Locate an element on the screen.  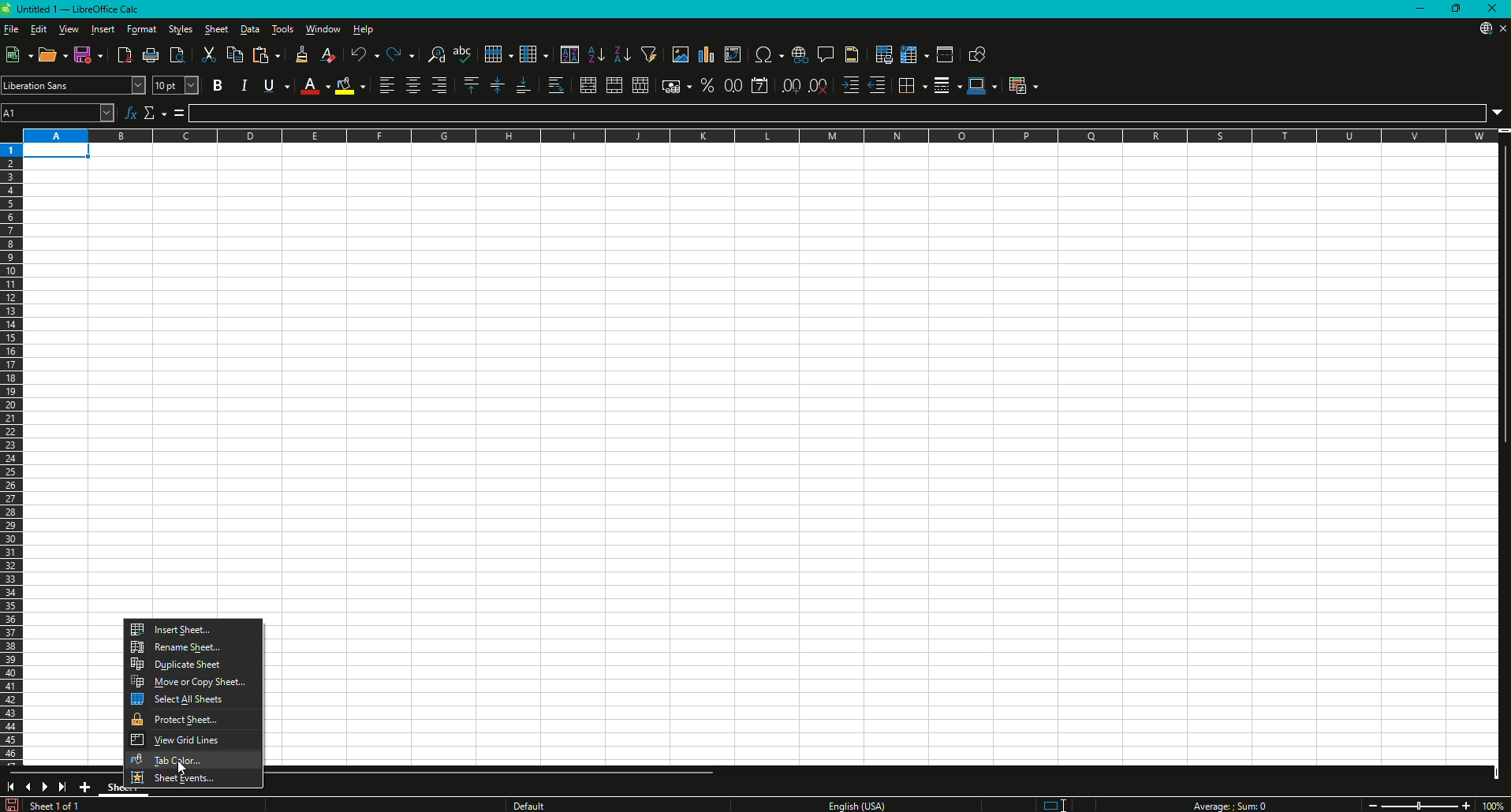
Close sheet is located at coordinates (1502, 28).